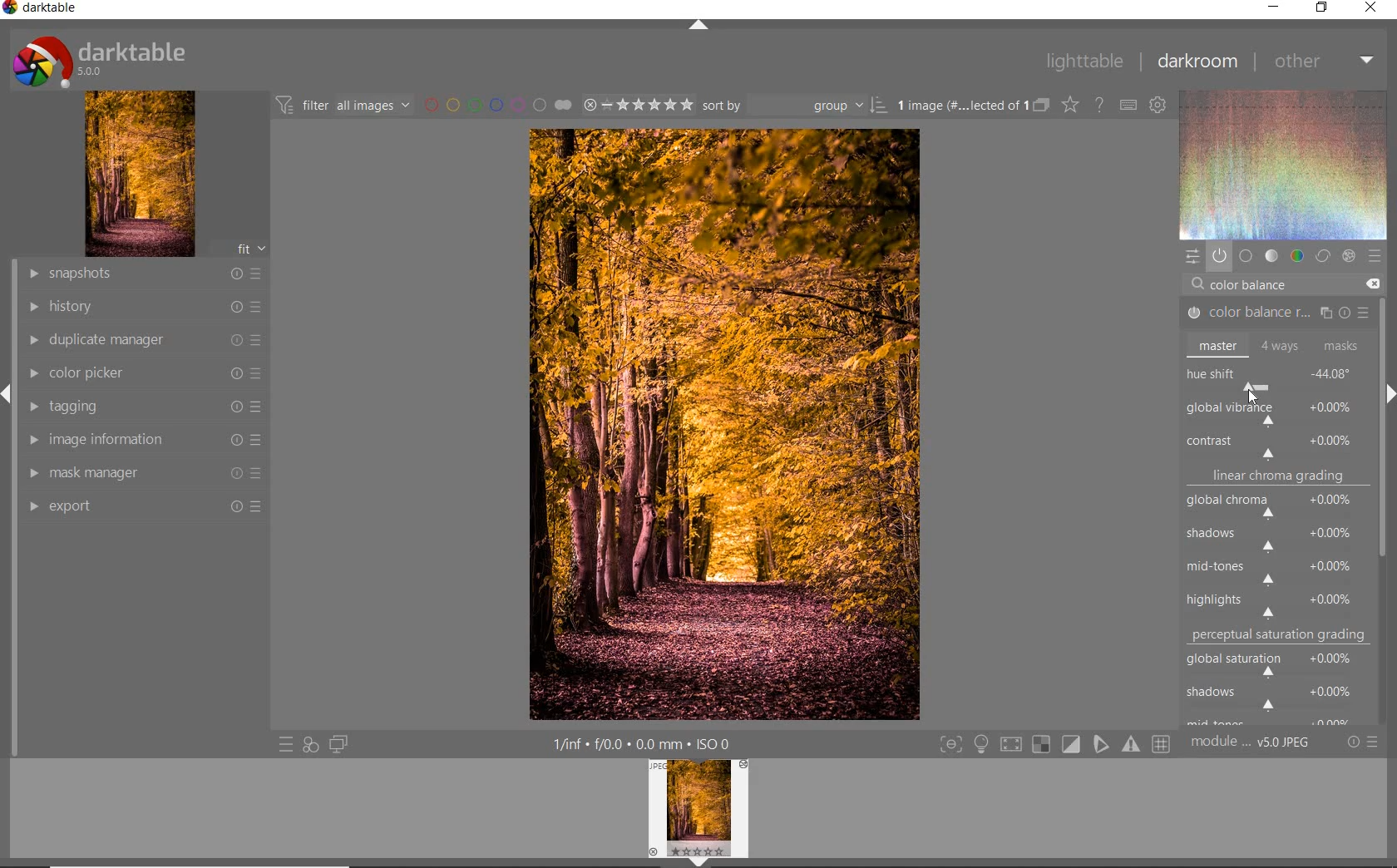 This screenshot has width=1397, height=868. I want to click on scrollbar, so click(1384, 330).